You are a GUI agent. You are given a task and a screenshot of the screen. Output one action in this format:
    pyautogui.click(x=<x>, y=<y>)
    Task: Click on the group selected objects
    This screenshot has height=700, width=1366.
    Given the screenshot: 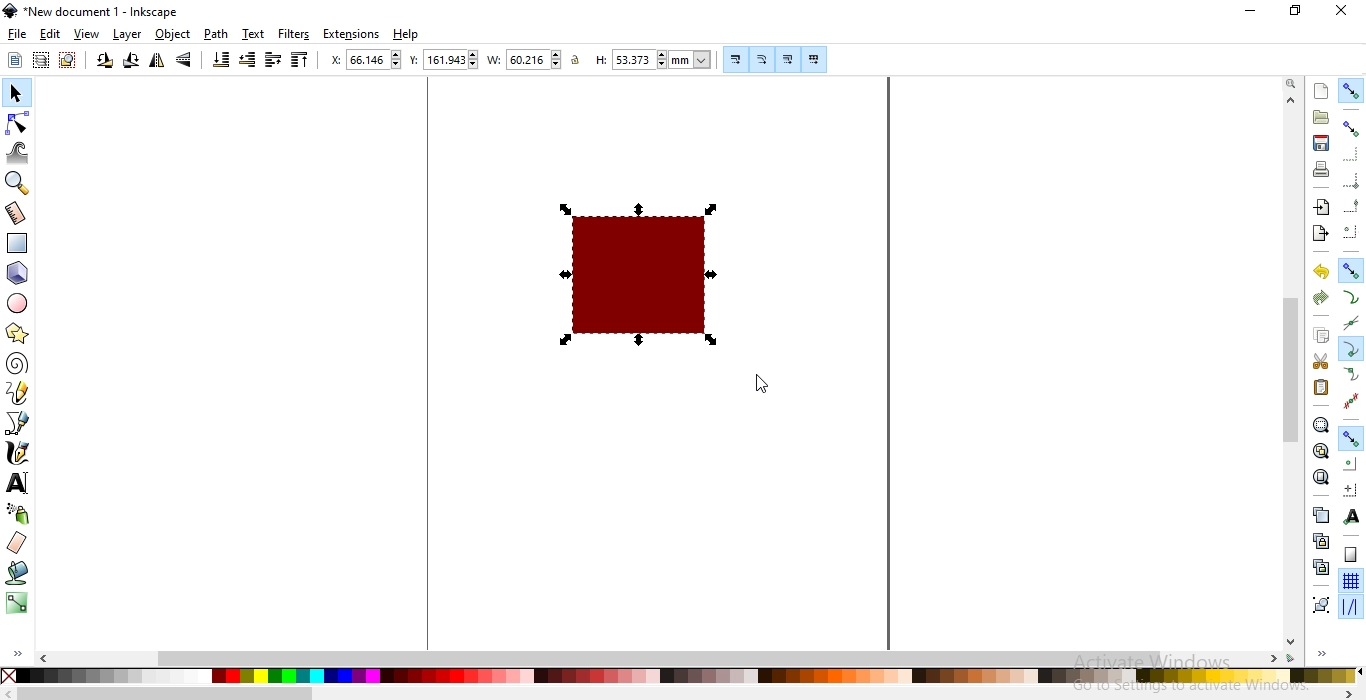 What is the action you would take?
    pyautogui.click(x=1319, y=604)
    